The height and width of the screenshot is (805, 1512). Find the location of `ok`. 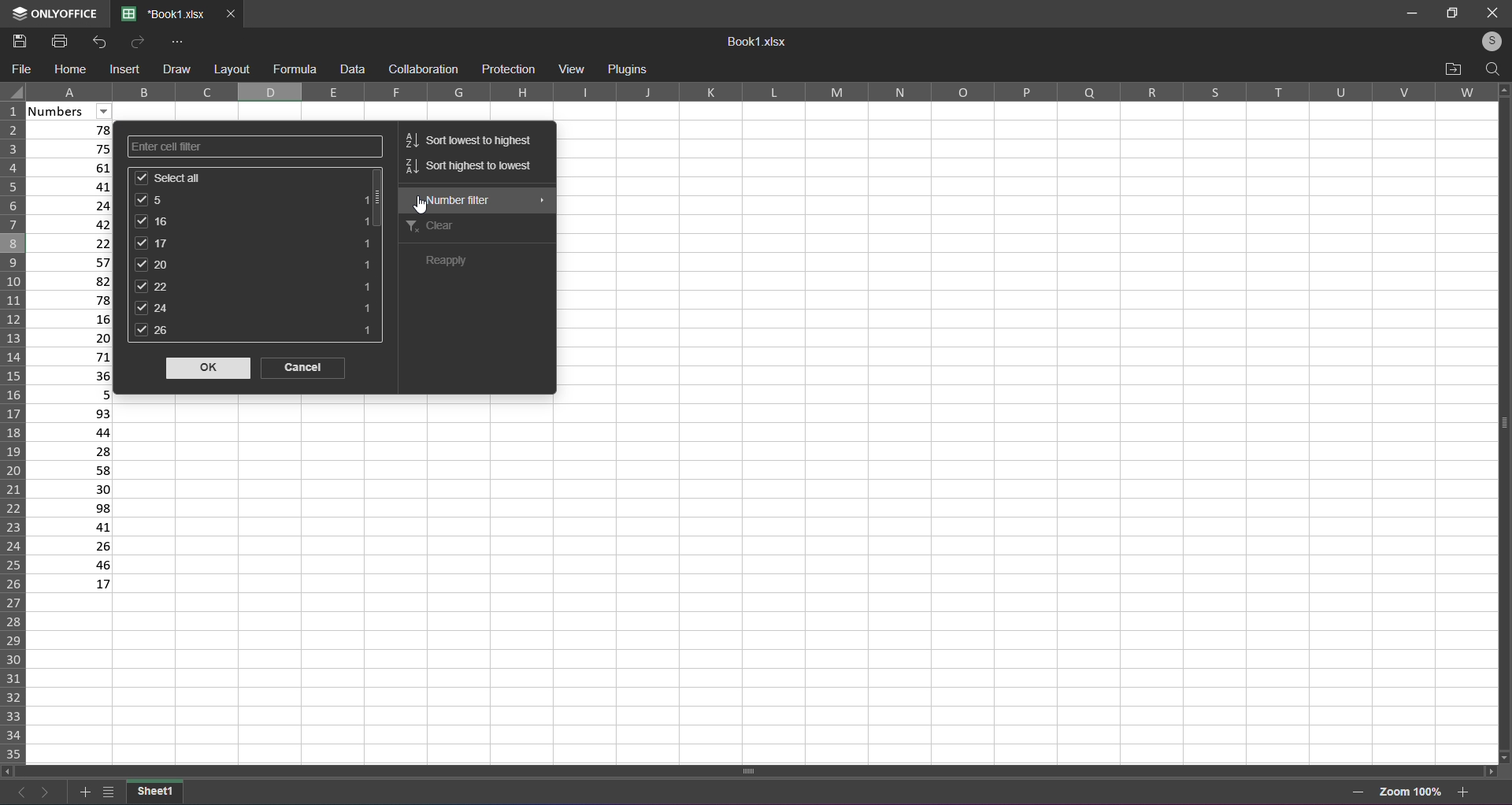

ok is located at coordinates (206, 369).